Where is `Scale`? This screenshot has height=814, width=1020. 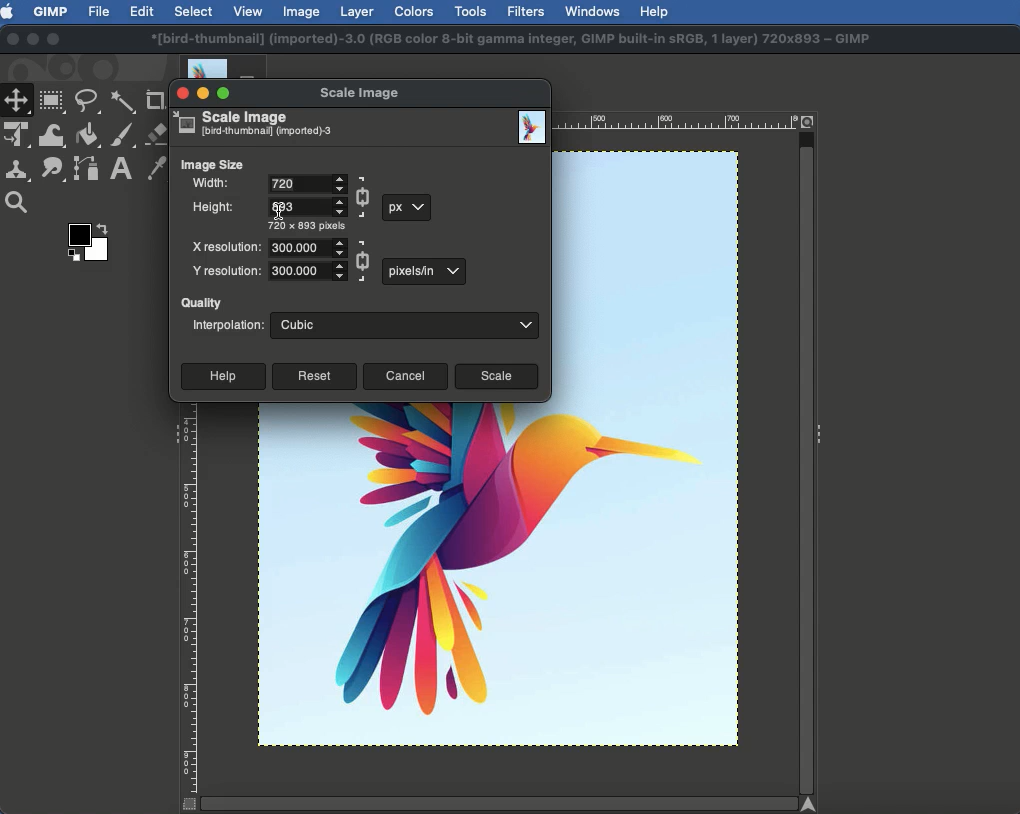 Scale is located at coordinates (496, 379).